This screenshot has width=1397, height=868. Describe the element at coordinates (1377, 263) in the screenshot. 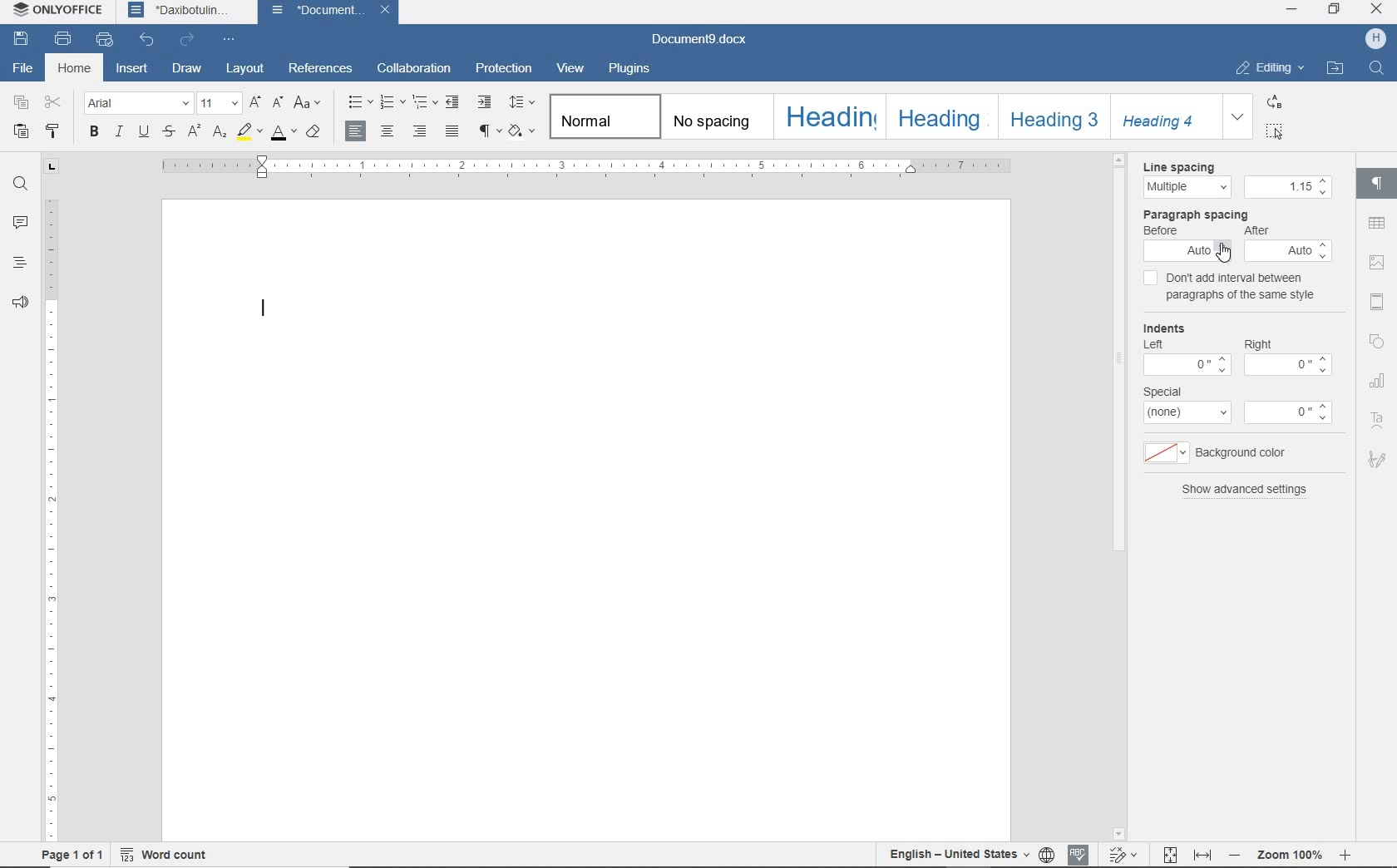

I see `image` at that location.